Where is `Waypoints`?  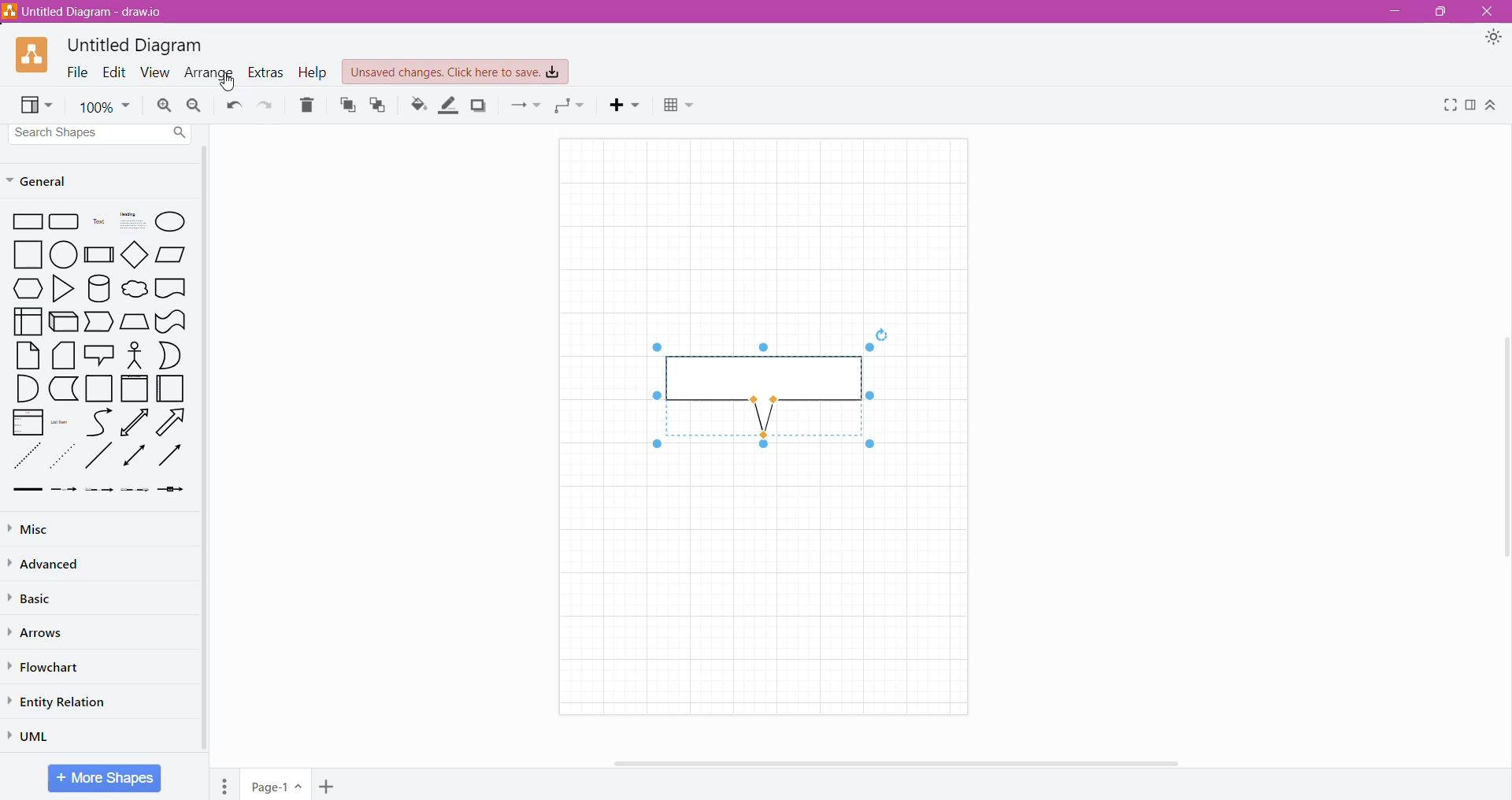 Waypoints is located at coordinates (572, 106).